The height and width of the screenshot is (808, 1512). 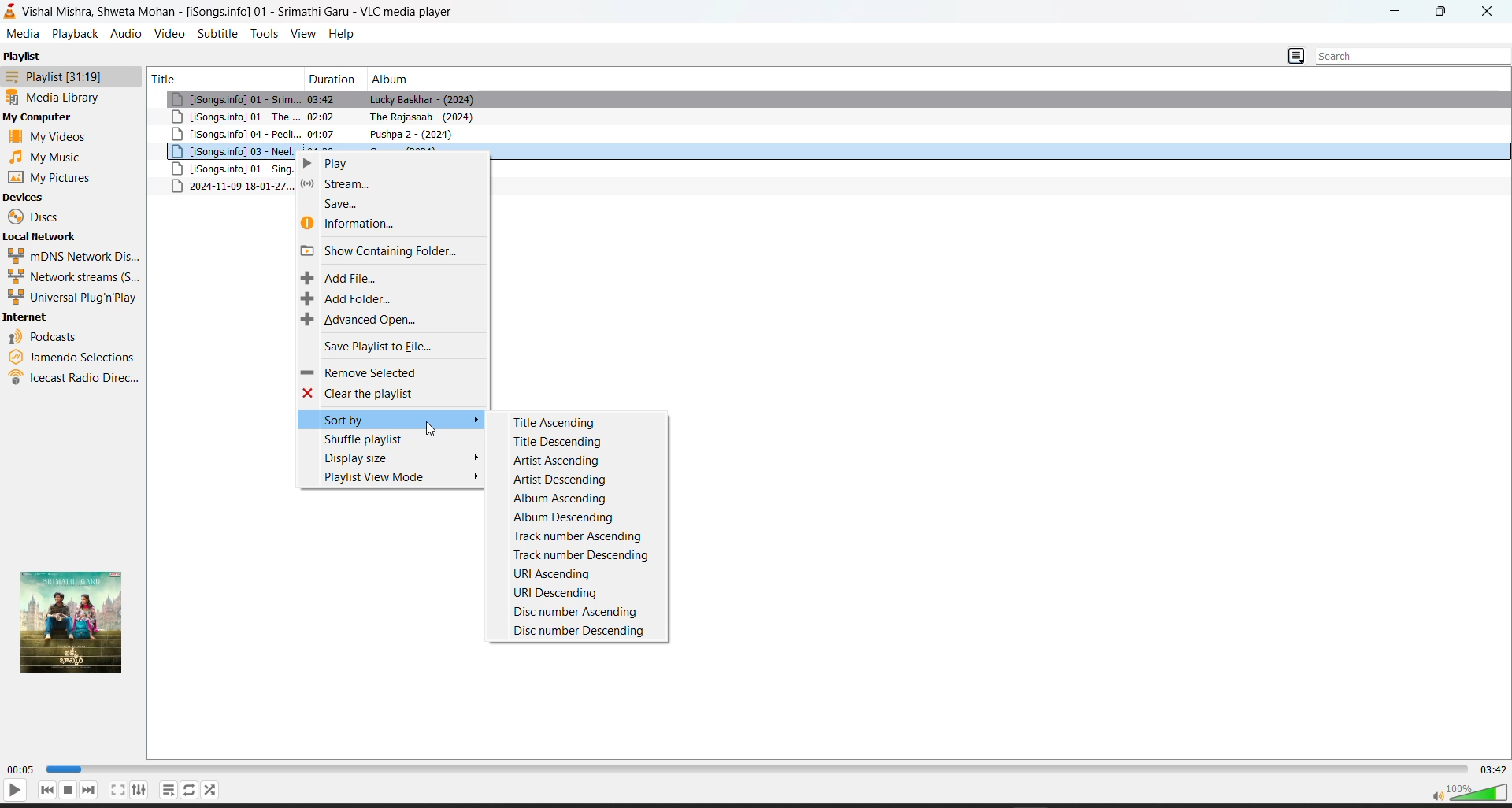 What do you see at coordinates (226, 151) in the screenshot?
I see `song` at bounding box center [226, 151].